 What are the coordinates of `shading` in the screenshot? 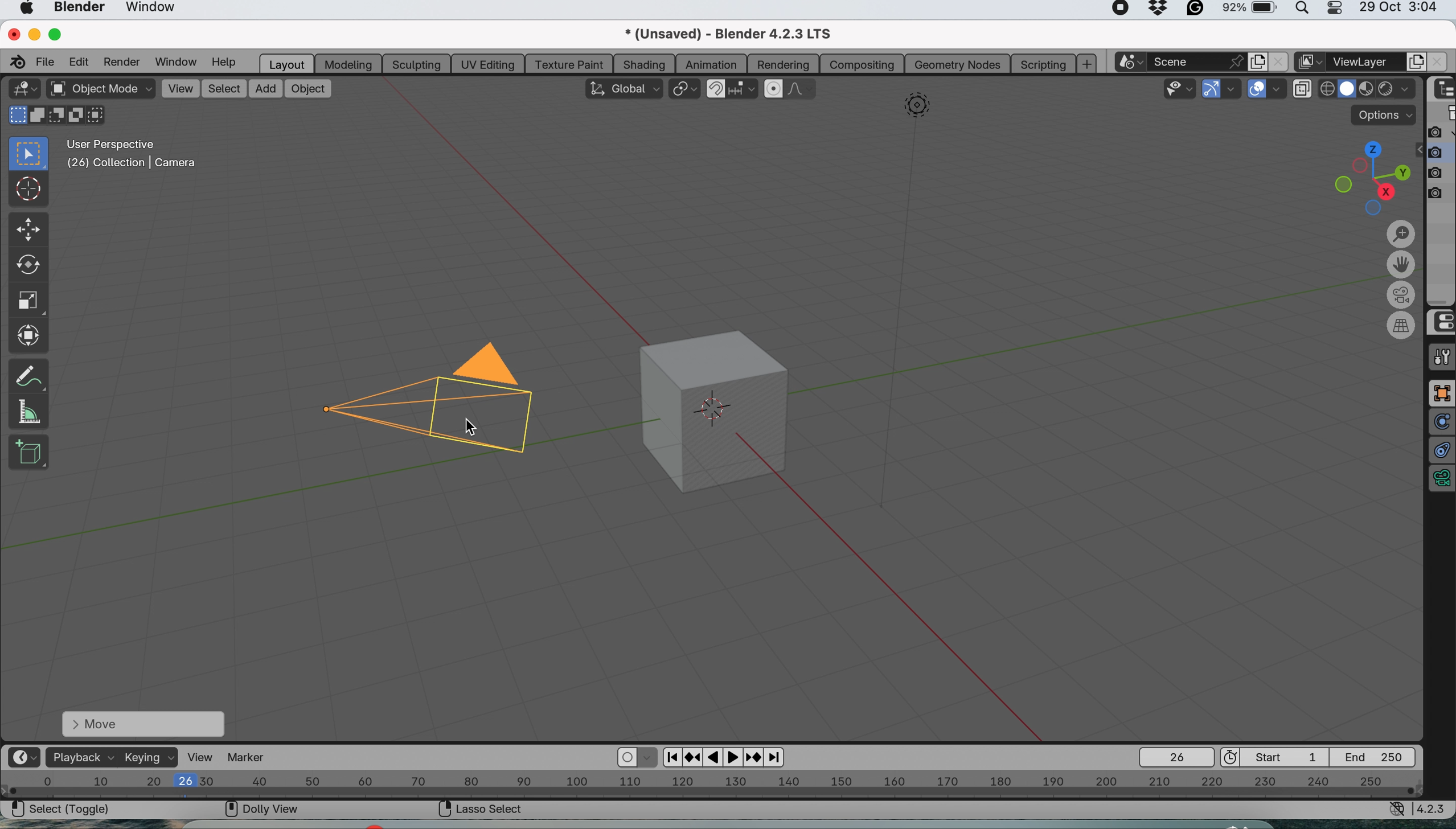 It's located at (644, 63).